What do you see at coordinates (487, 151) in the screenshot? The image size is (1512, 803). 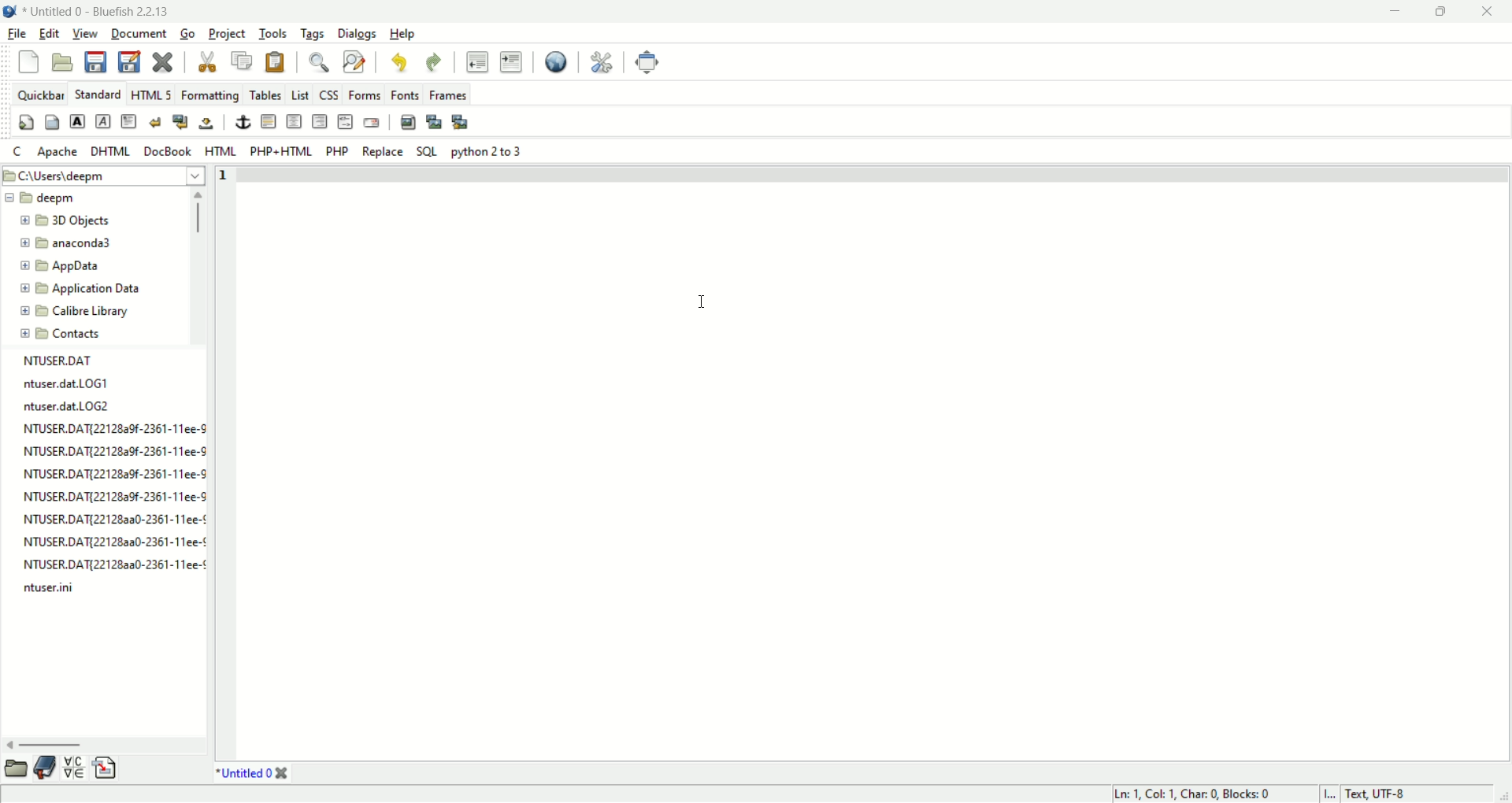 I see `python 2 to 3` at bounding box center [487, 151].